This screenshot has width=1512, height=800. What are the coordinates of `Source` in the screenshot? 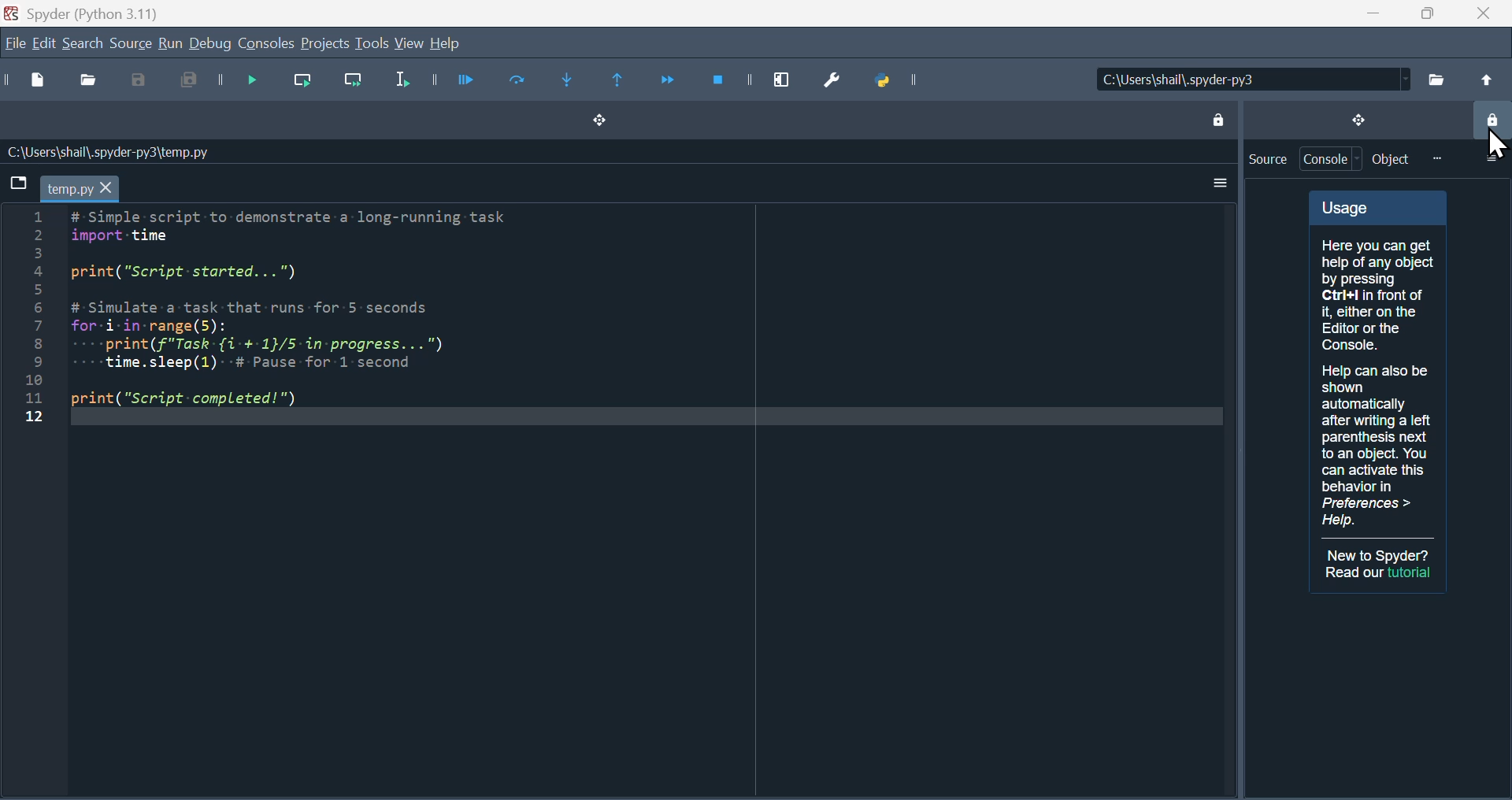 It's located at (130, 43).